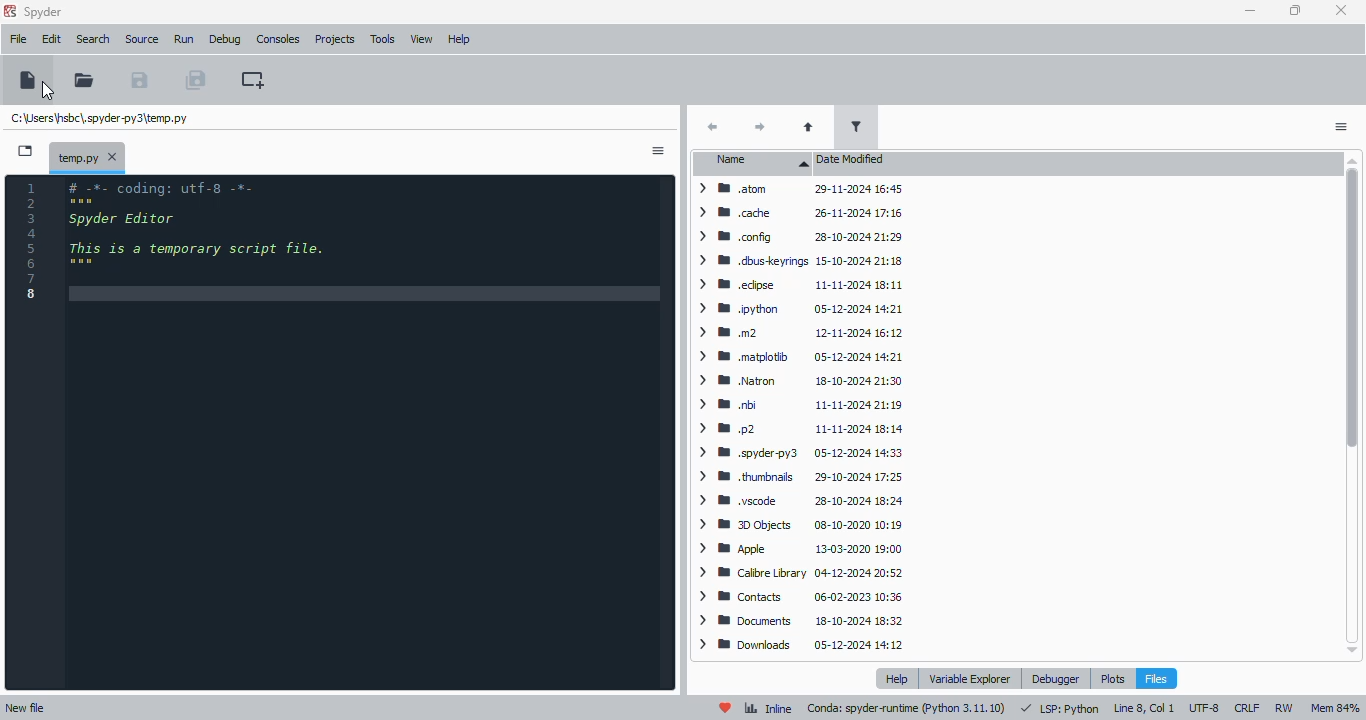  Describe the element at coordinates (800, 404) in the screenshot. I see `> WM bi 11-11-2024 21:19` at that location.